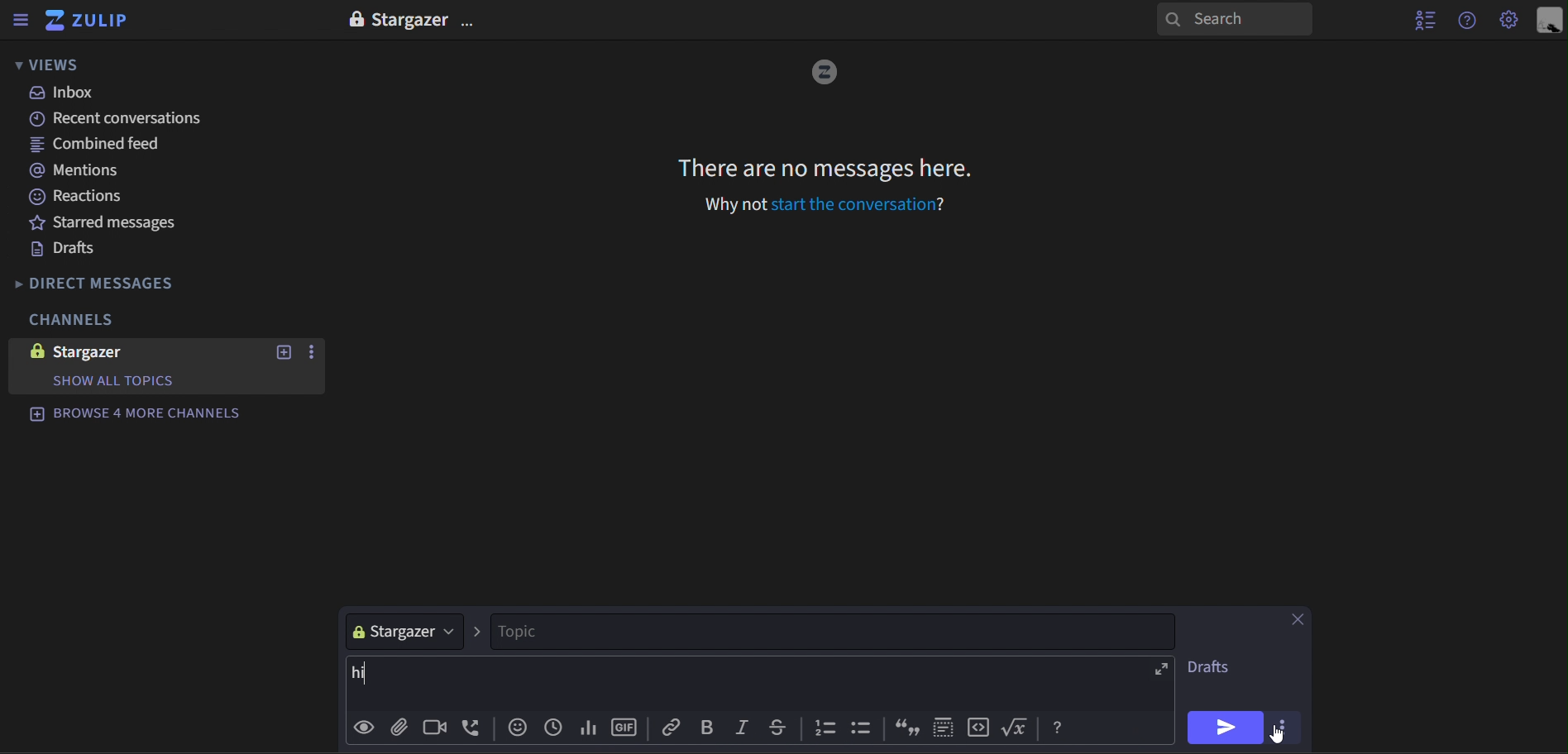 Image resolution: width=1568 pixels, height=754 pixels. Describe the element at coordinates (112, 172) in the screenshot. I see `mentions` at that location.